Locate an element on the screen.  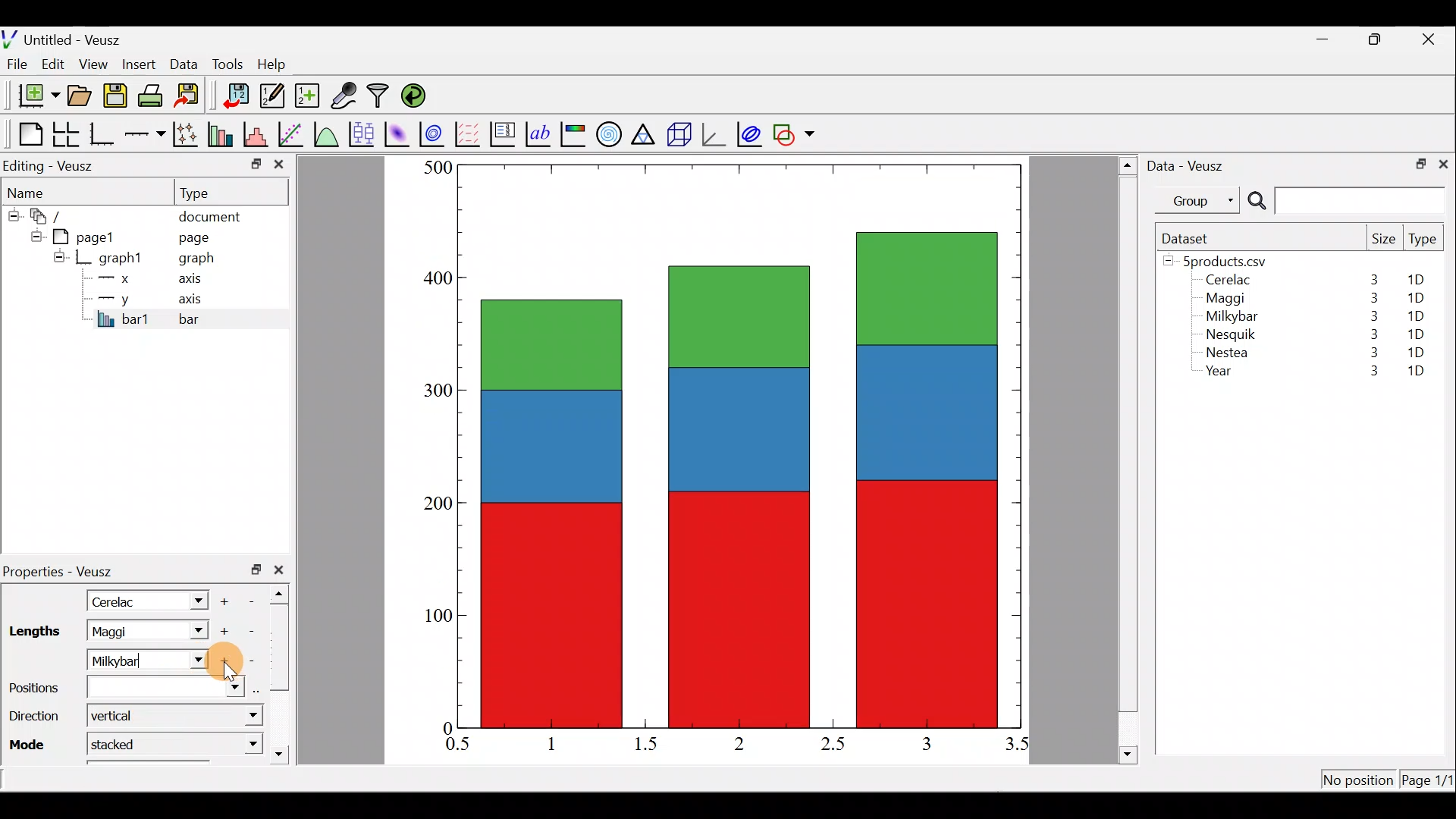
Ternary graph is located at coordinates (645, 132).